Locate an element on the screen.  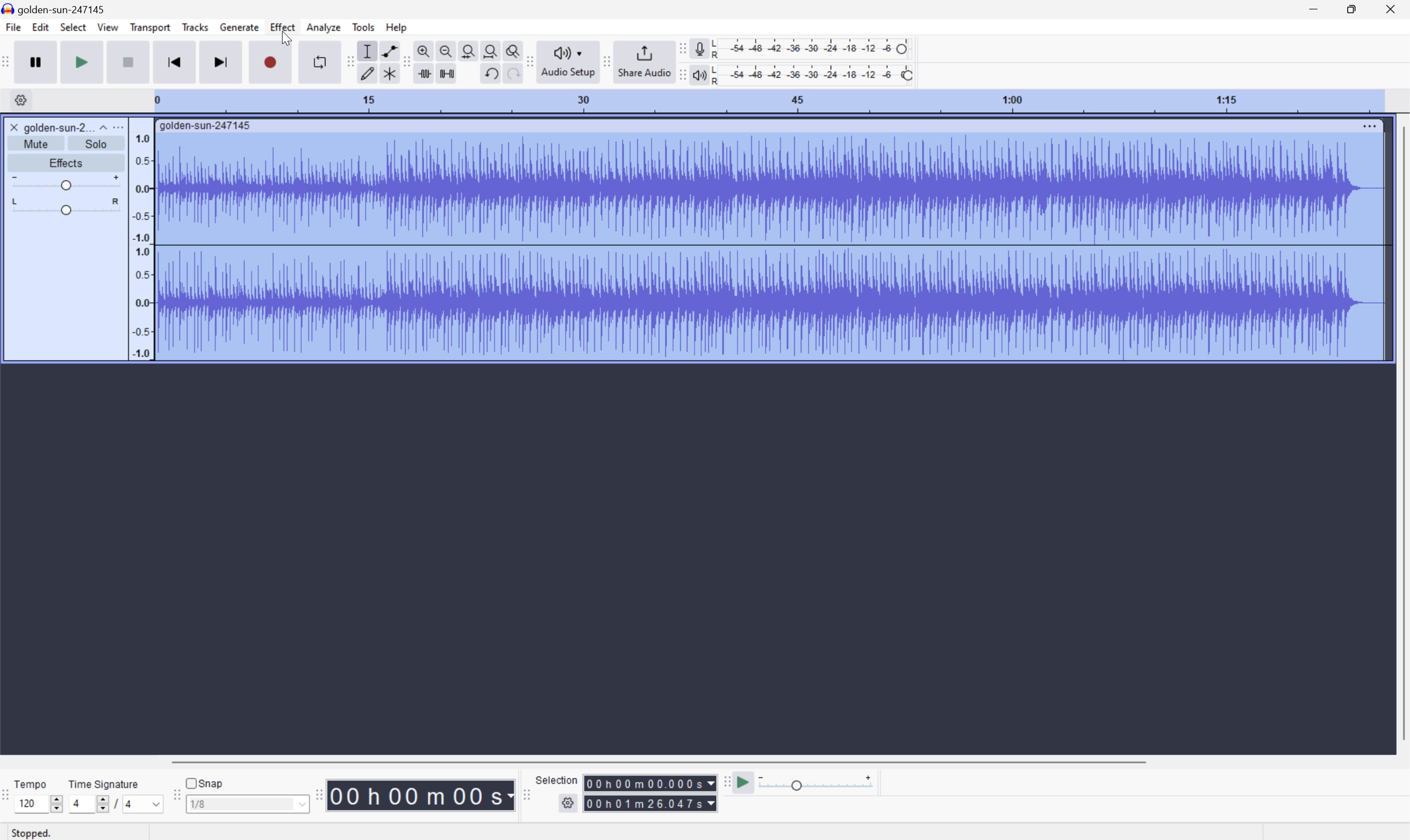
Help is located at coordinates (397, 26).